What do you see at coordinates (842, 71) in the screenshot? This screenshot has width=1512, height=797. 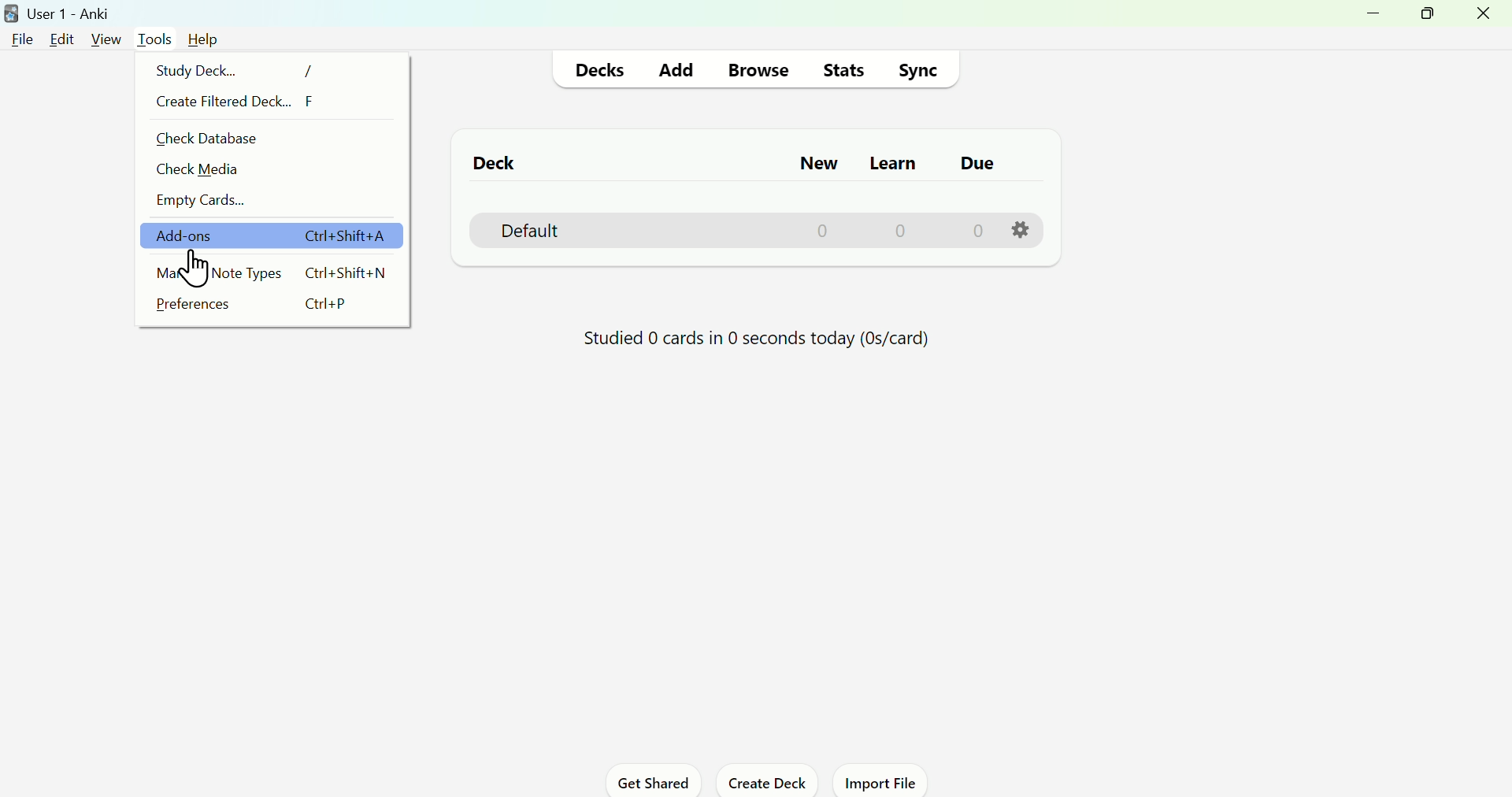 I see `Stats` at bounding box center [842, 71].